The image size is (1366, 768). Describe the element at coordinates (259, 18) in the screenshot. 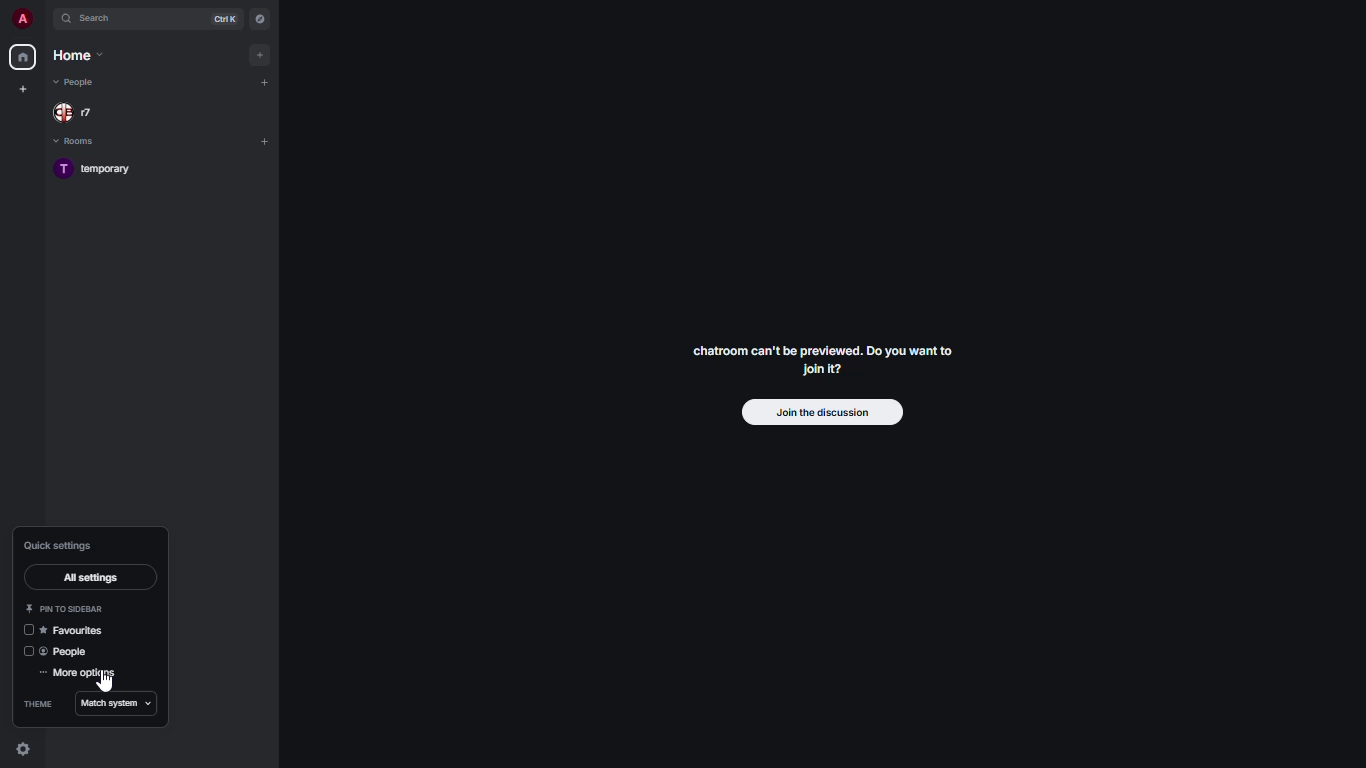

I see `navigator` at that location.